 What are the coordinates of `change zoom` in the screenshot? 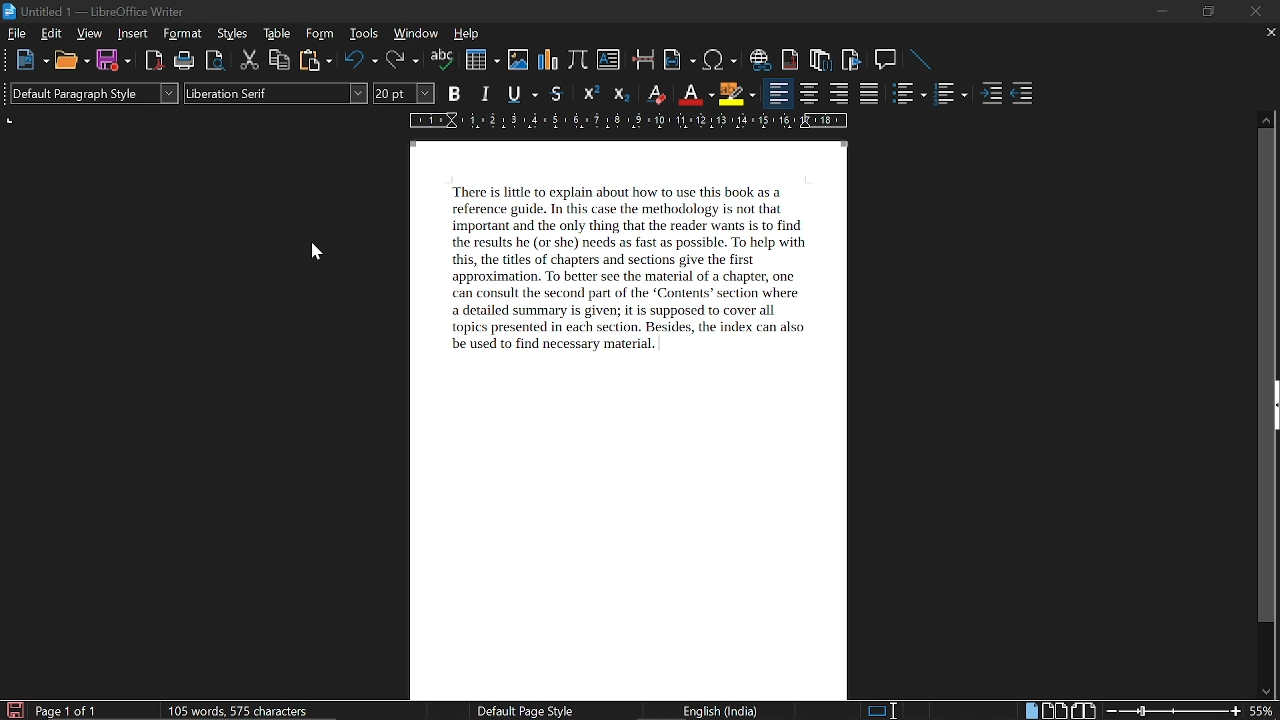 It's located at (1174, 712).